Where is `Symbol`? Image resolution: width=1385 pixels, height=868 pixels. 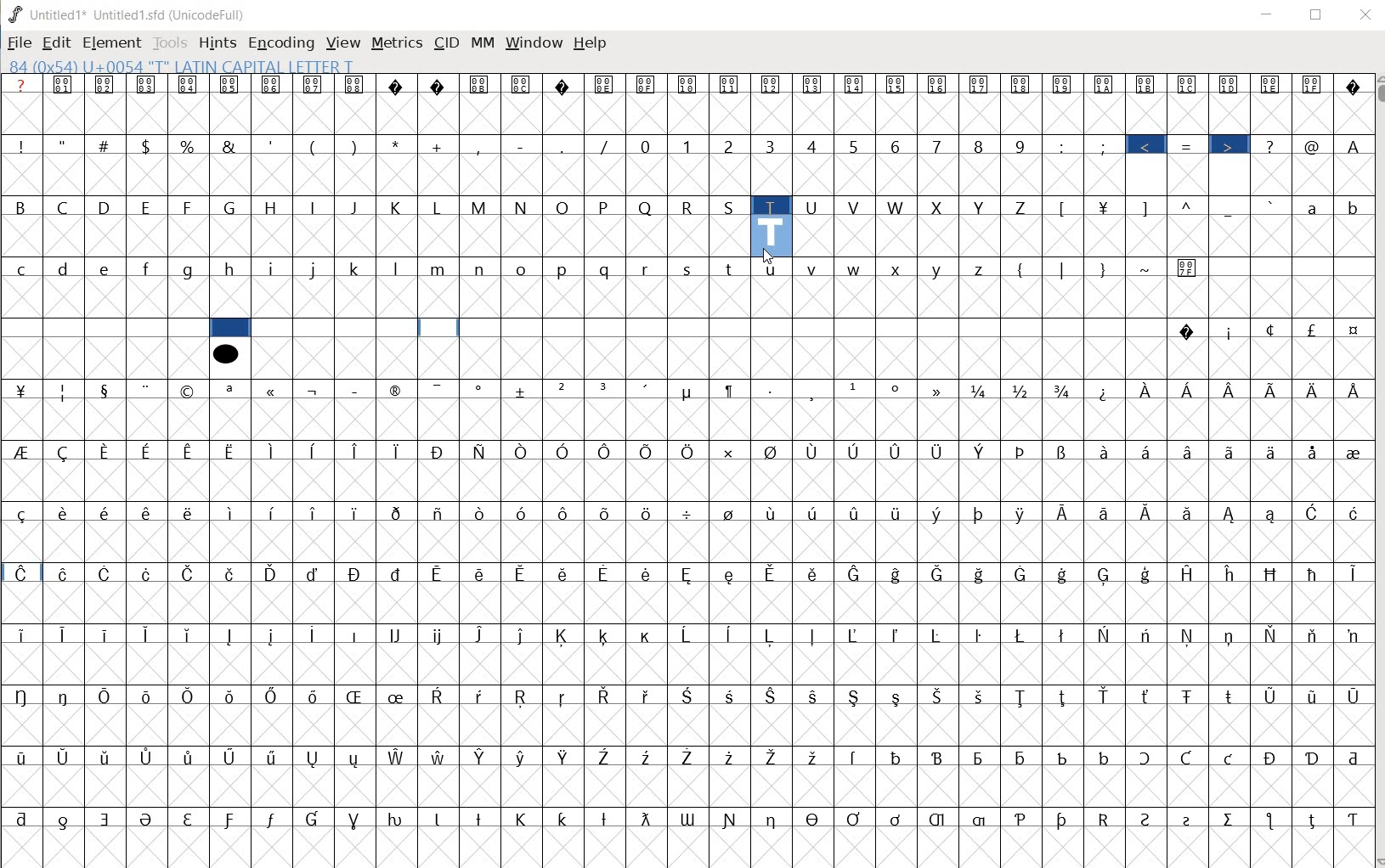 Symbol is located at coordinates (940, 634).